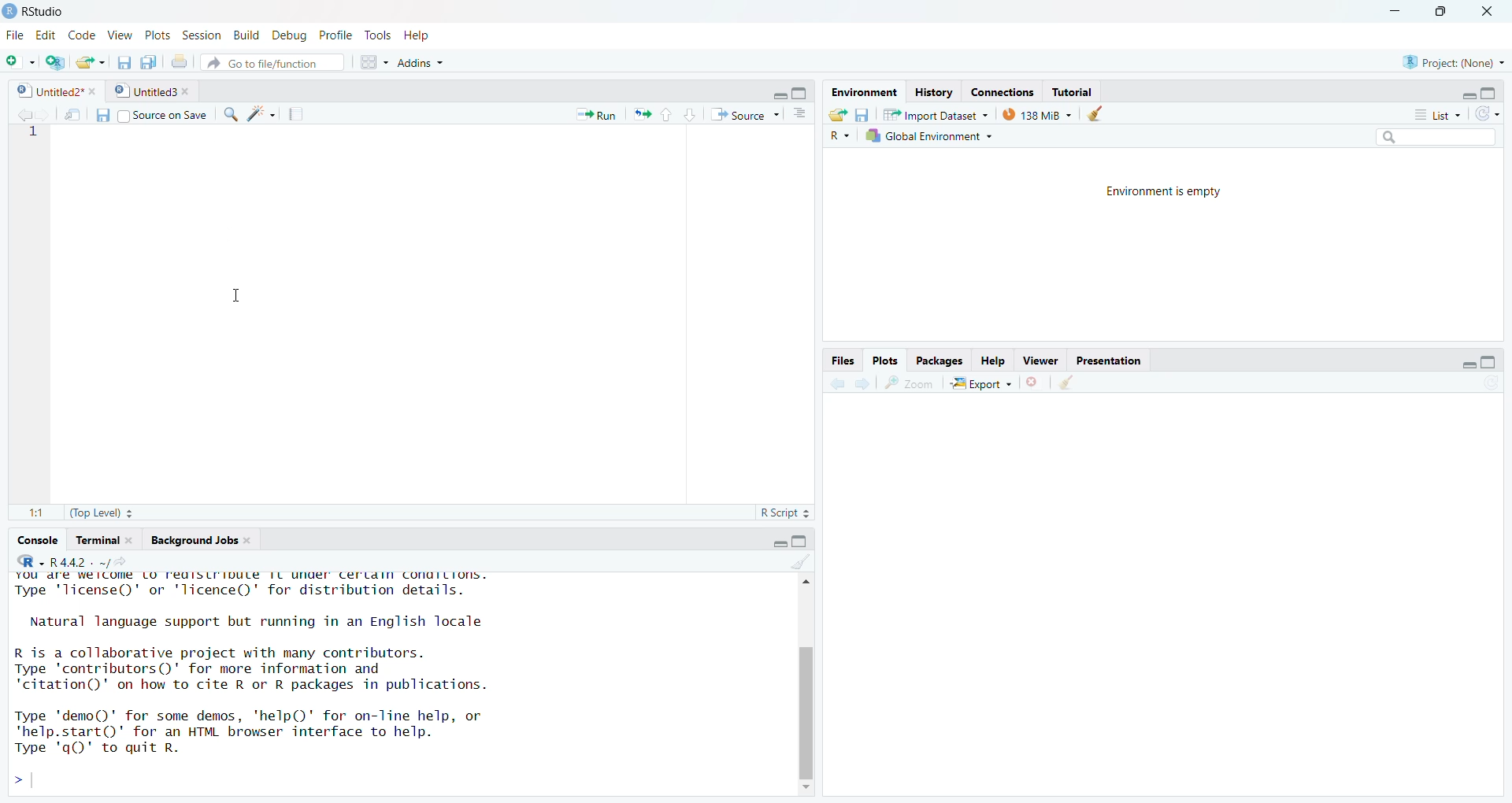  What do you see at coordinates (743, 116) in the screenshot?
I see `Source` at bounding box center [743, 116].